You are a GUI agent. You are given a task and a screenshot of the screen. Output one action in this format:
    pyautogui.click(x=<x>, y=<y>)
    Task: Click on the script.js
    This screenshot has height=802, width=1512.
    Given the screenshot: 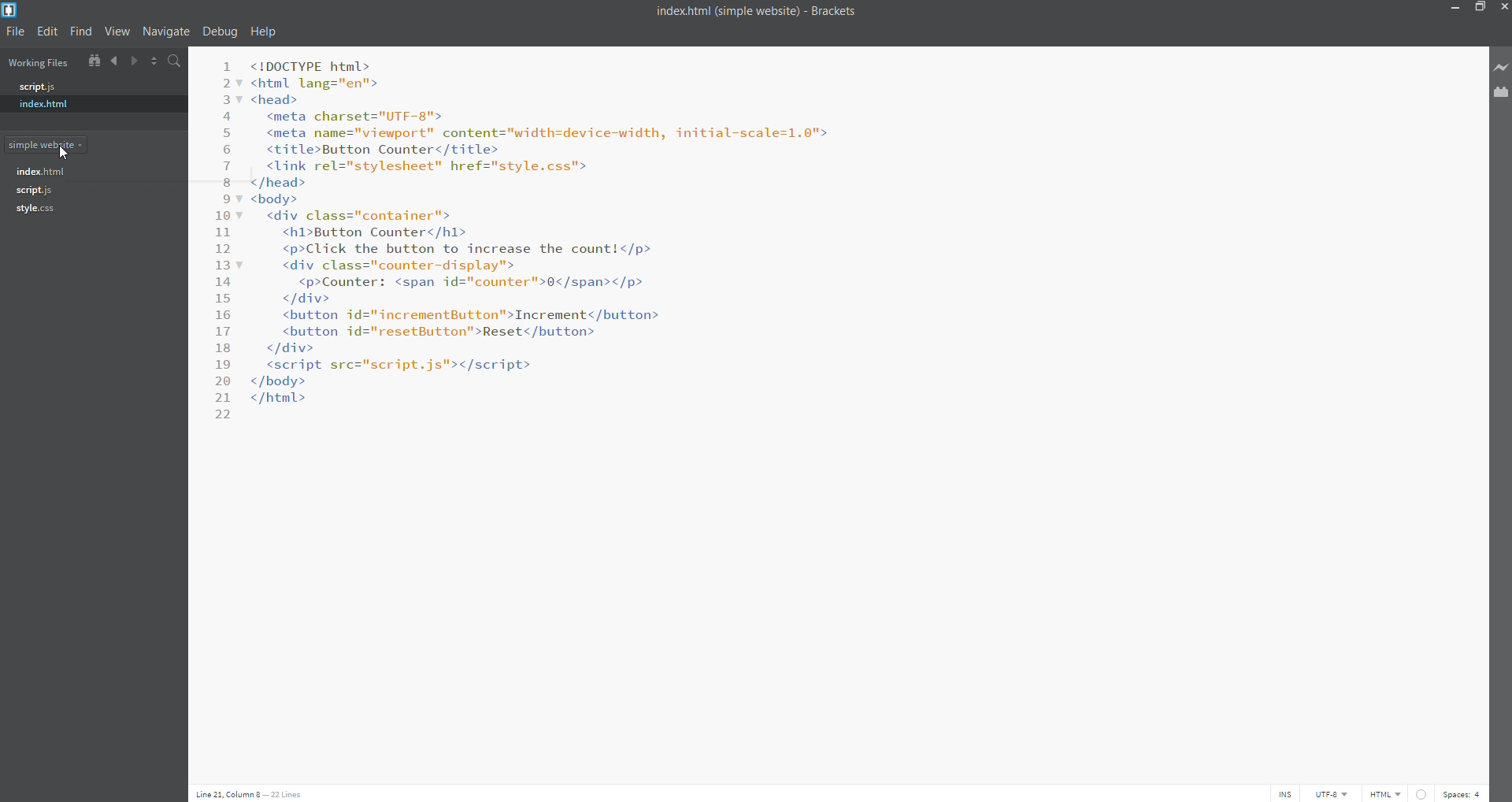 What is the action you would take?
    pyautogui.click(x=84, y=86)
    